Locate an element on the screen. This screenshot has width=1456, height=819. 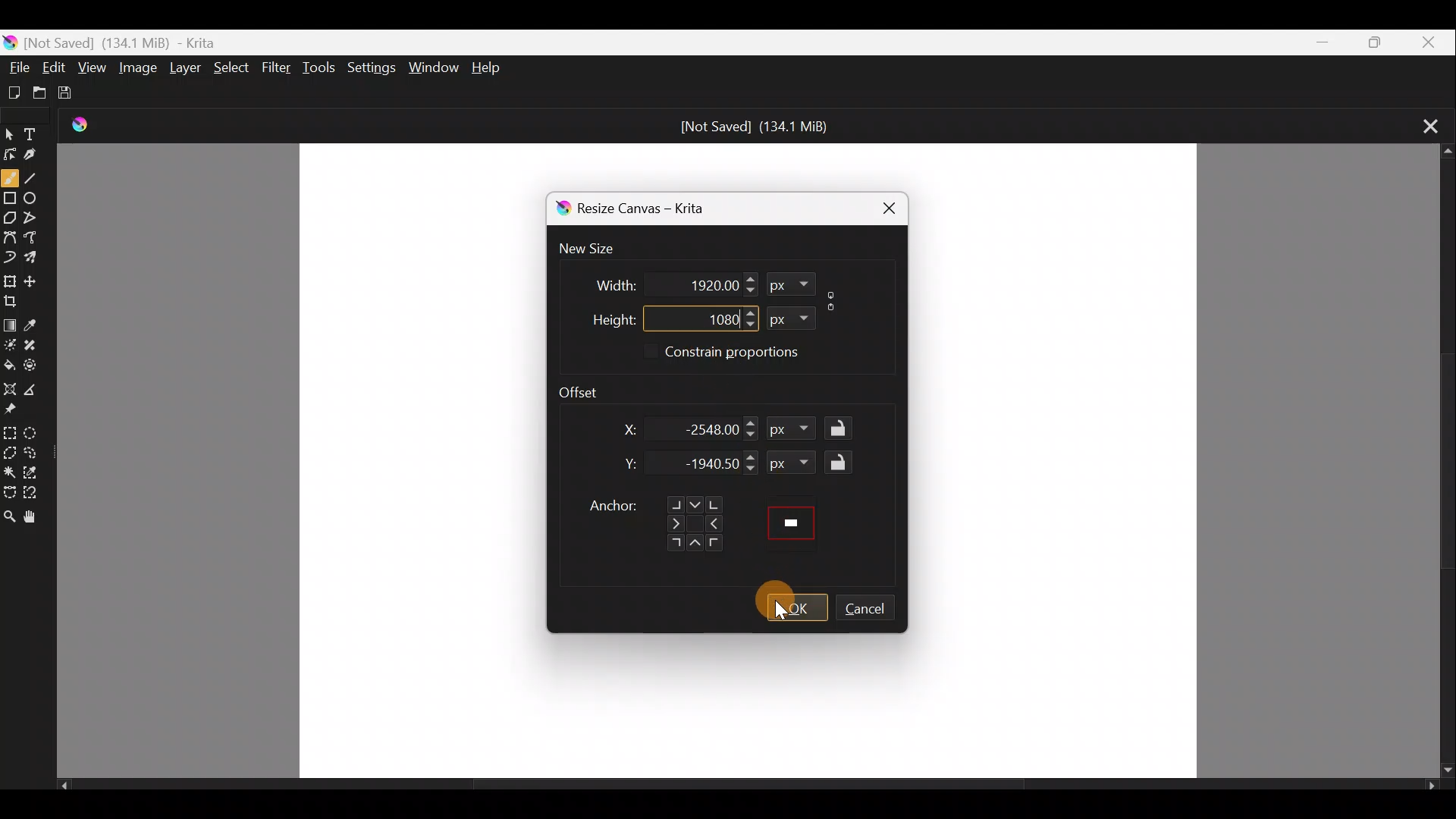
Scroll bar is located at coordinates (1441, 462).